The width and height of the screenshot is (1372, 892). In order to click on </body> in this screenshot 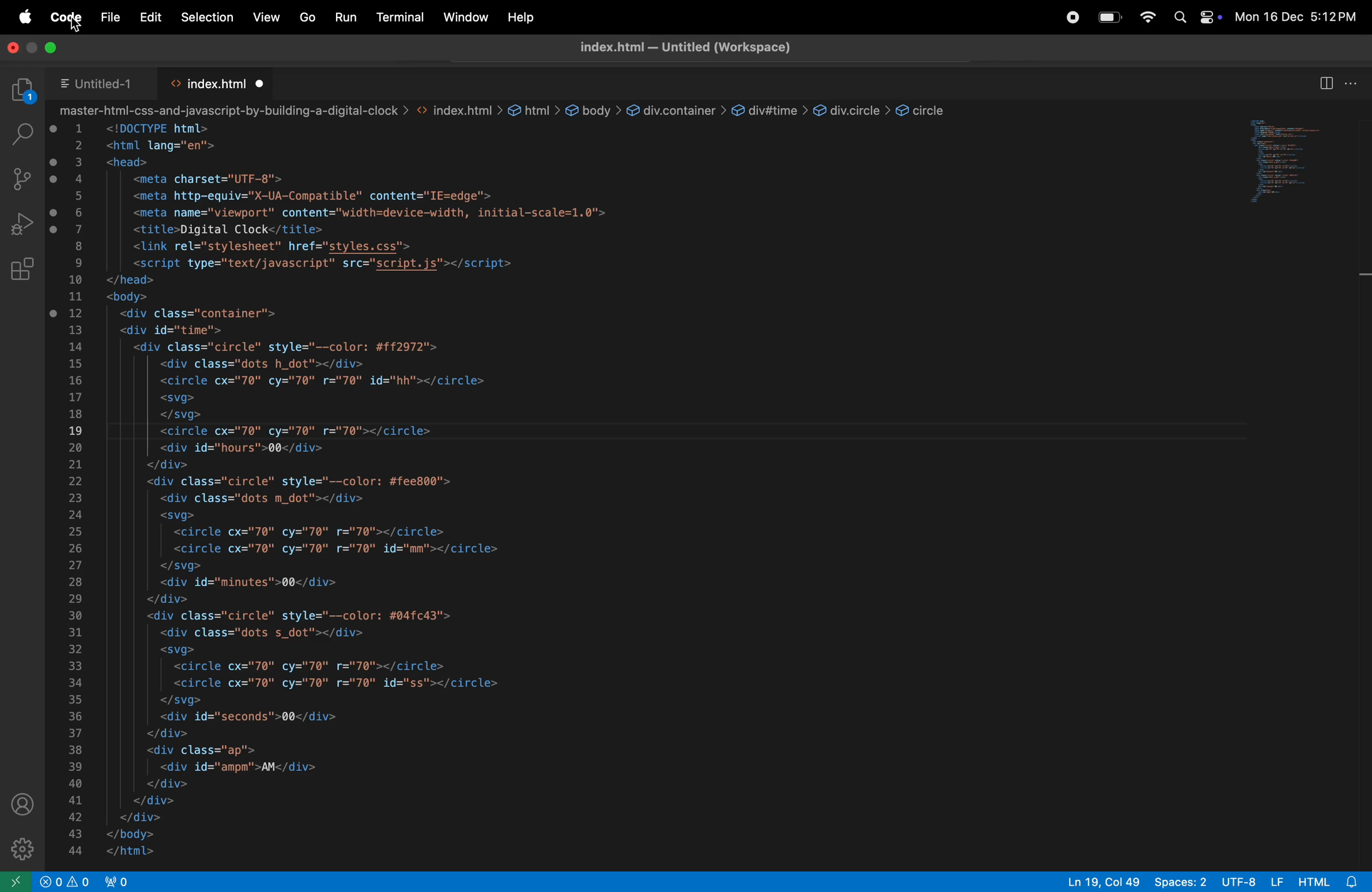, I will do `click(133, 833)`.